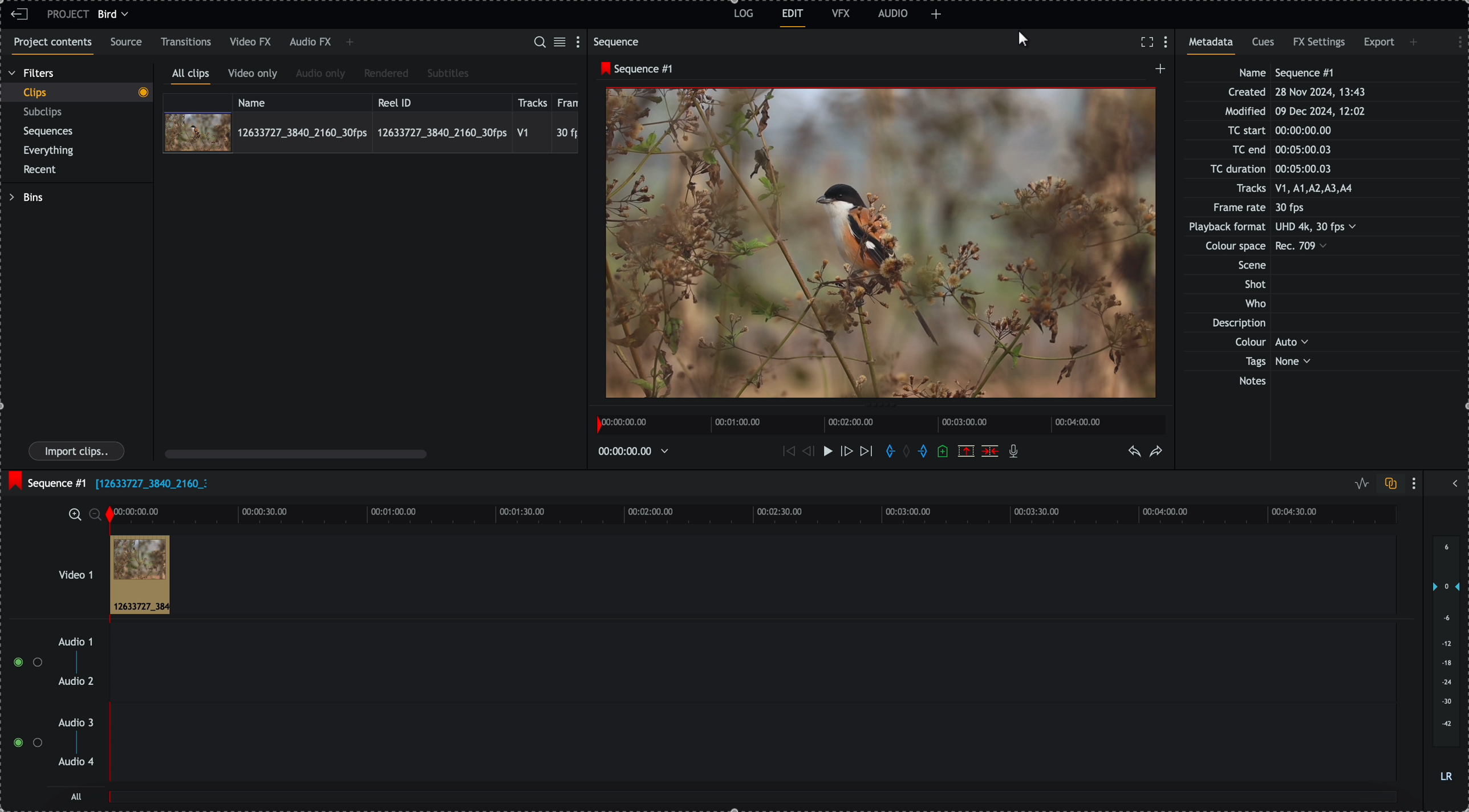 Image resolution: width=1469 pixels, height=812 pixels. What do you see at coordinates (922, 452) in the screenshot?
I see `add 'out' mark` at bounding box center [922, 452].